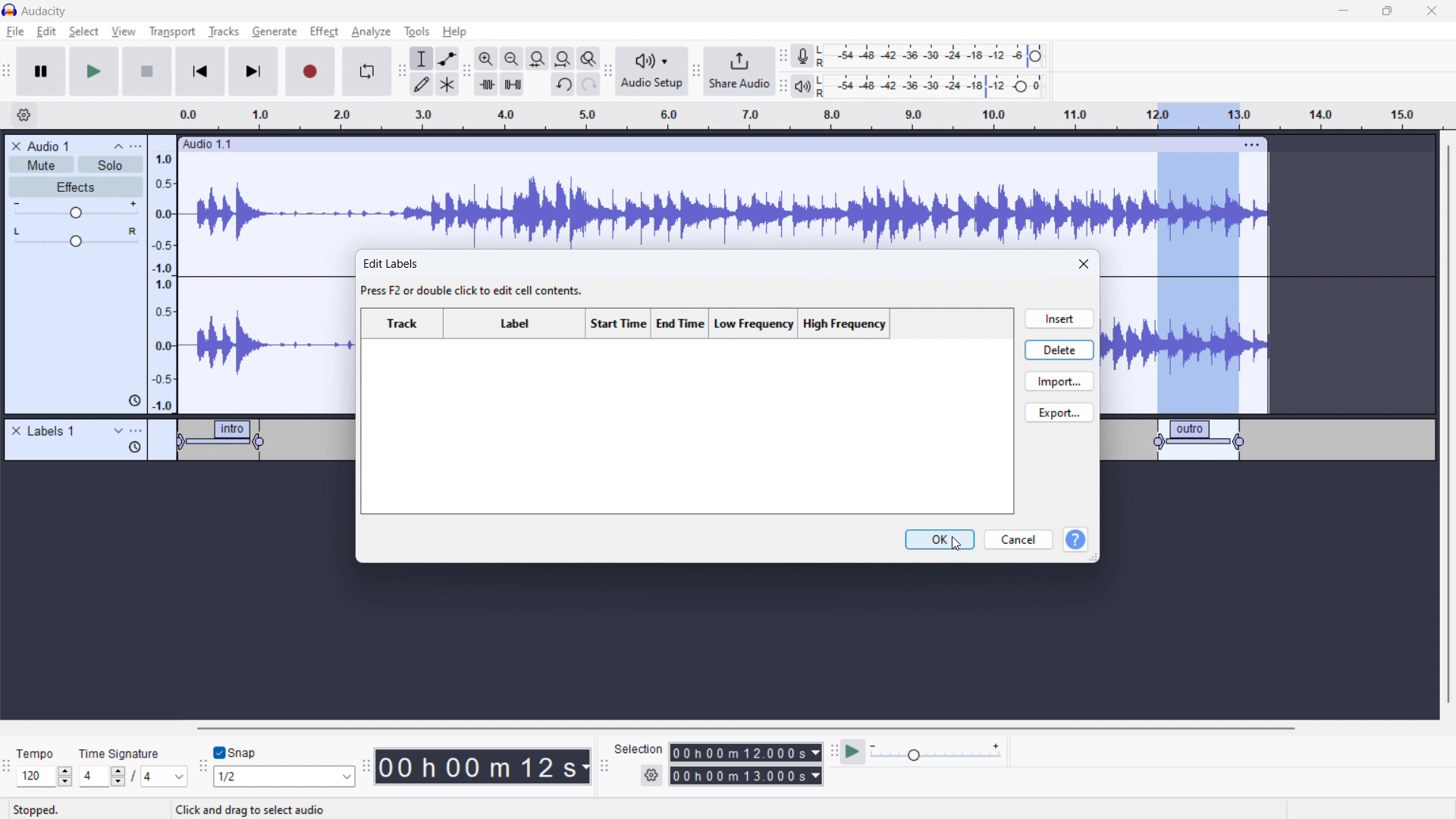  Describe the element at coordinates (47, 11) in the screenshot. I see `Audacity` at that location.